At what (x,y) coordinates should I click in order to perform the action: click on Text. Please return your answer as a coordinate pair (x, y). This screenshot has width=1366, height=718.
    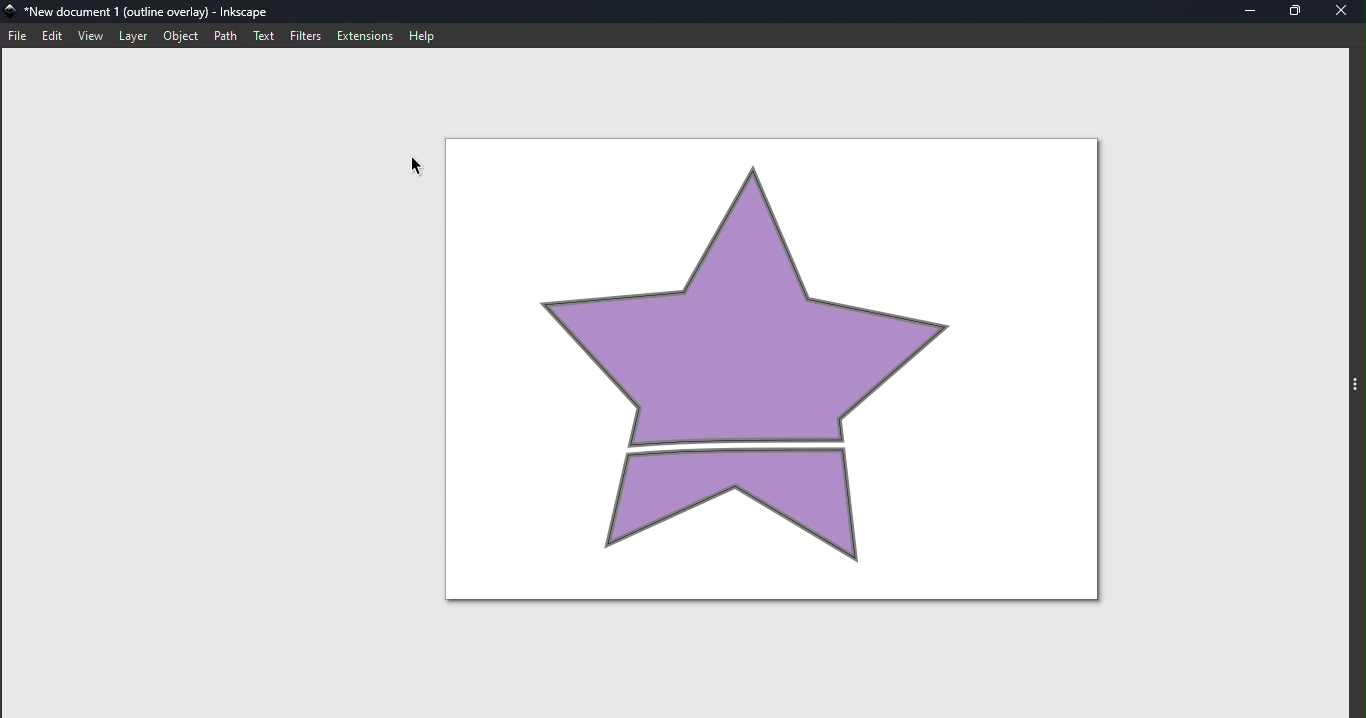
    Looking at the image, I should click on (269, 36).